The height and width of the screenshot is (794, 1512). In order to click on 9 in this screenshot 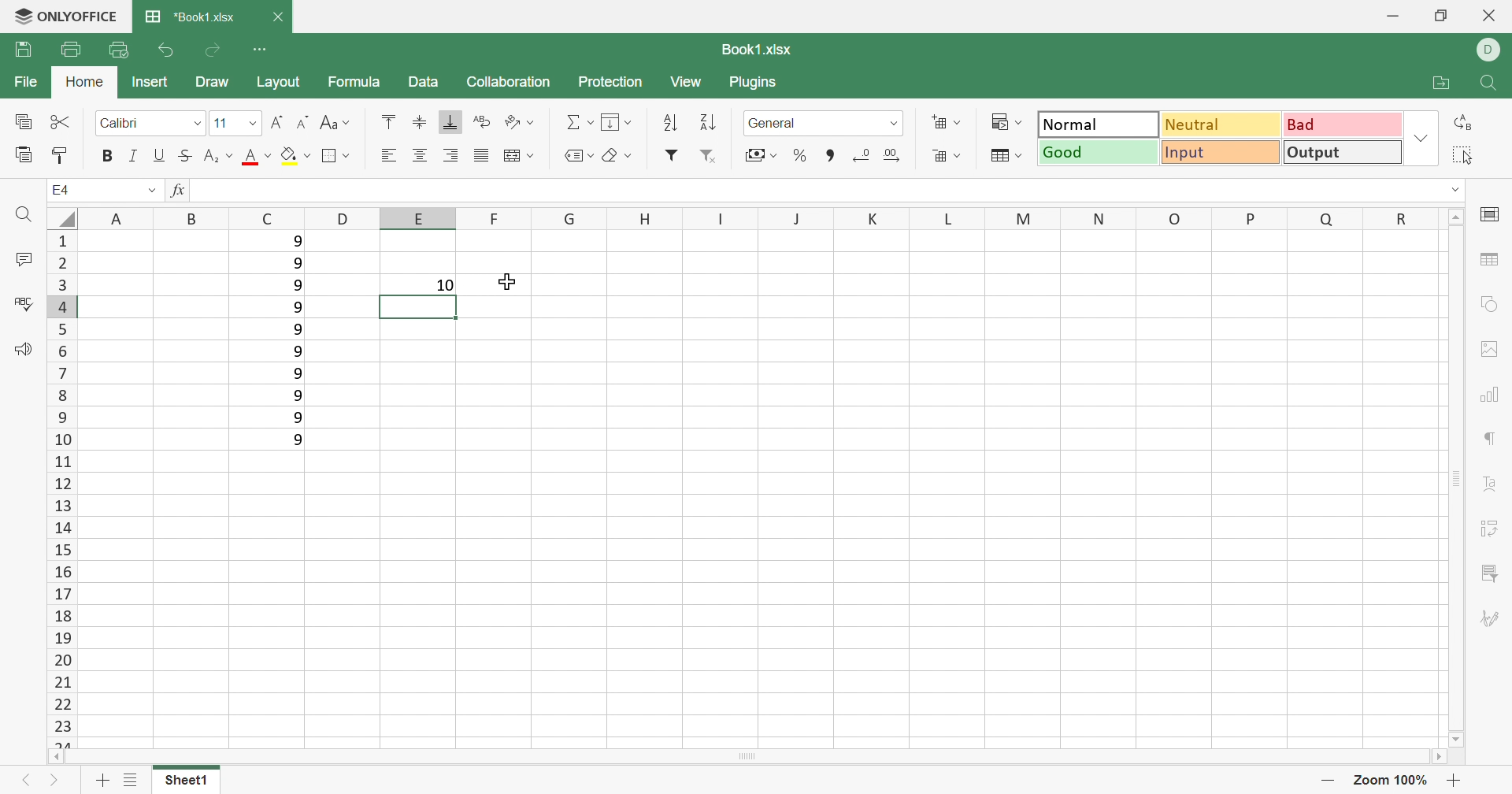, I will do `click(299, 440)`.